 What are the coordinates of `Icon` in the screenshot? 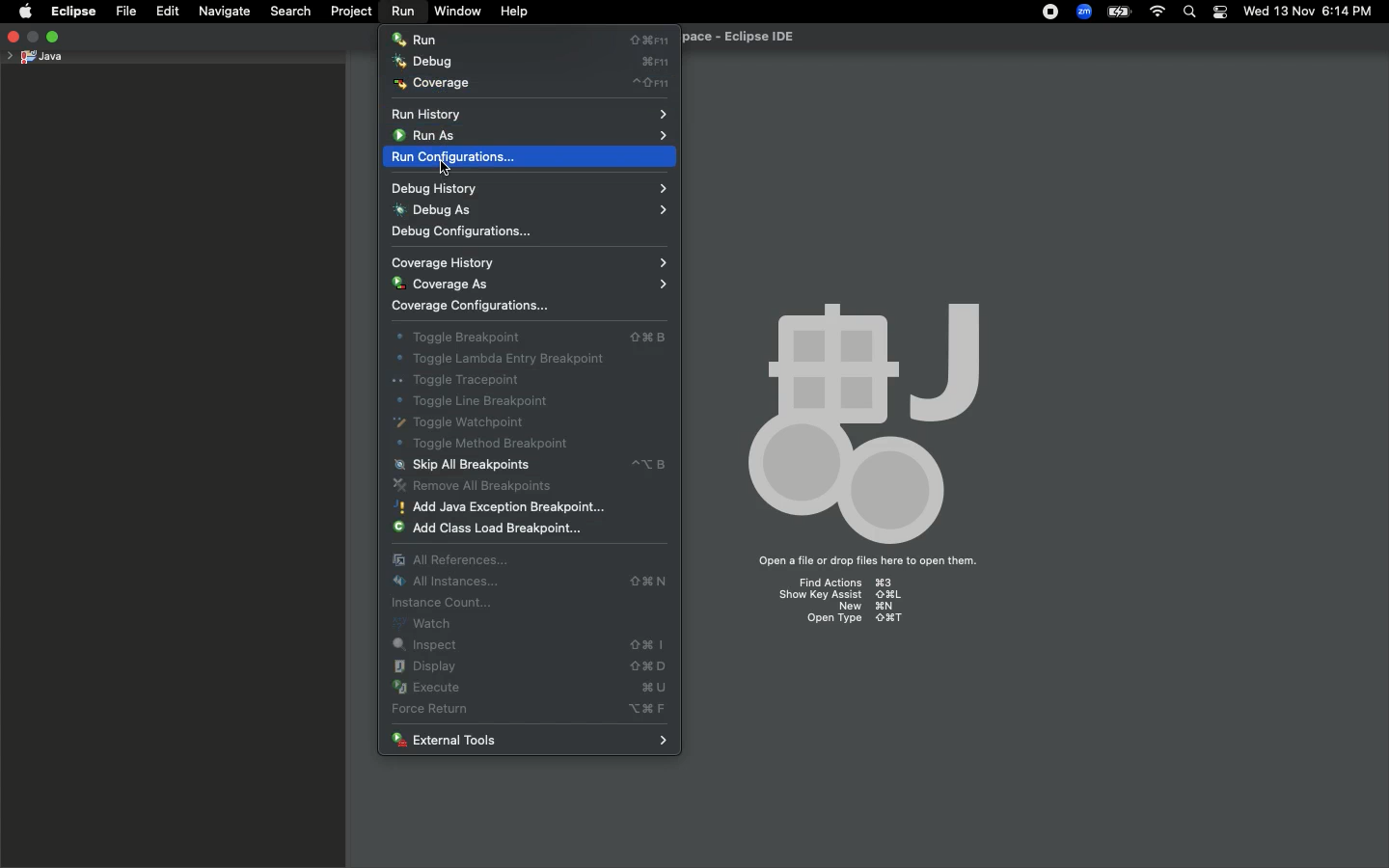 It's located at (866, 421).